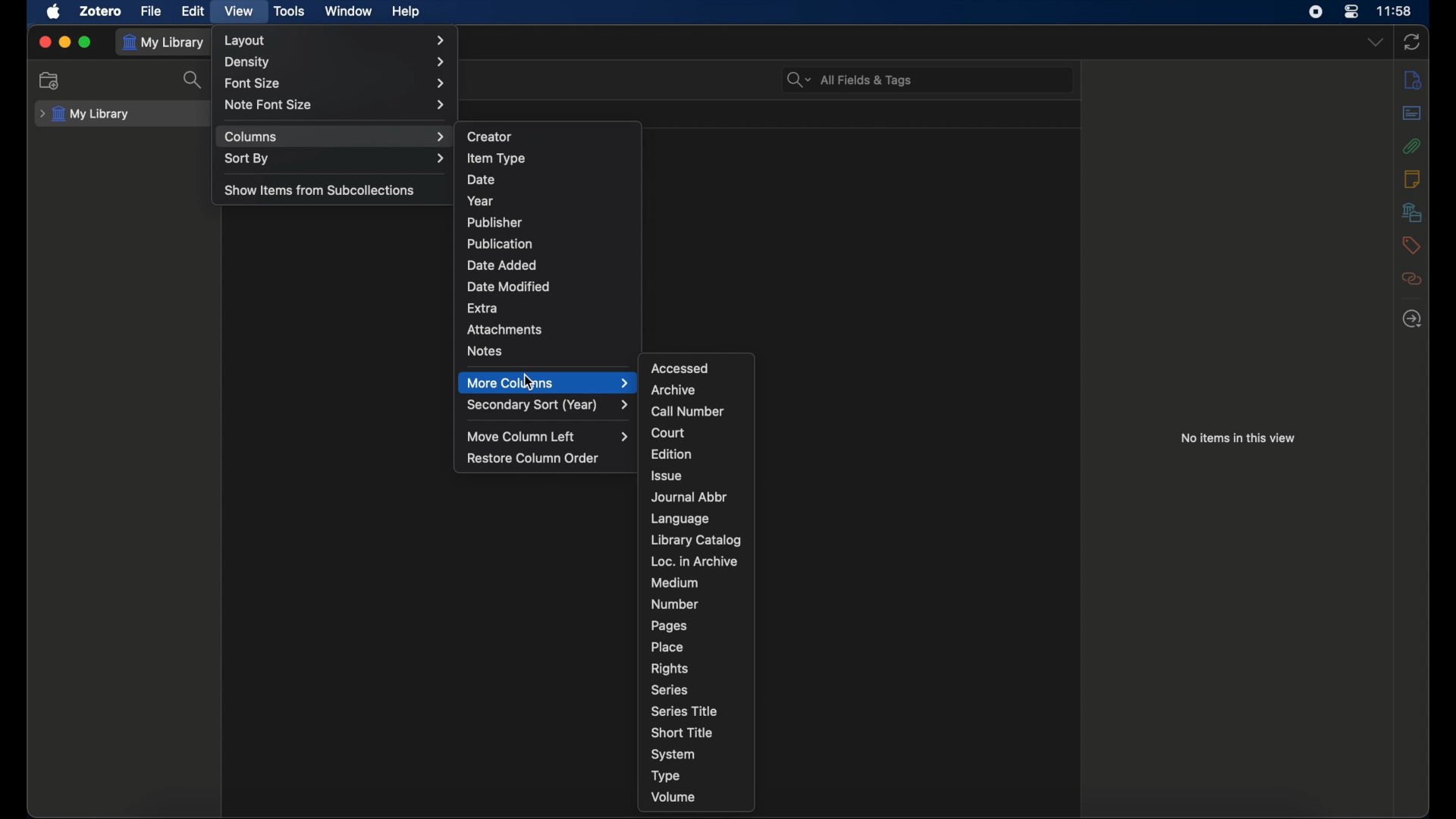 The image size is (1456, 819). What do you see at coordinates (672, 390) in the screenshot?
I see `archive` at bounding box center [672, 390].